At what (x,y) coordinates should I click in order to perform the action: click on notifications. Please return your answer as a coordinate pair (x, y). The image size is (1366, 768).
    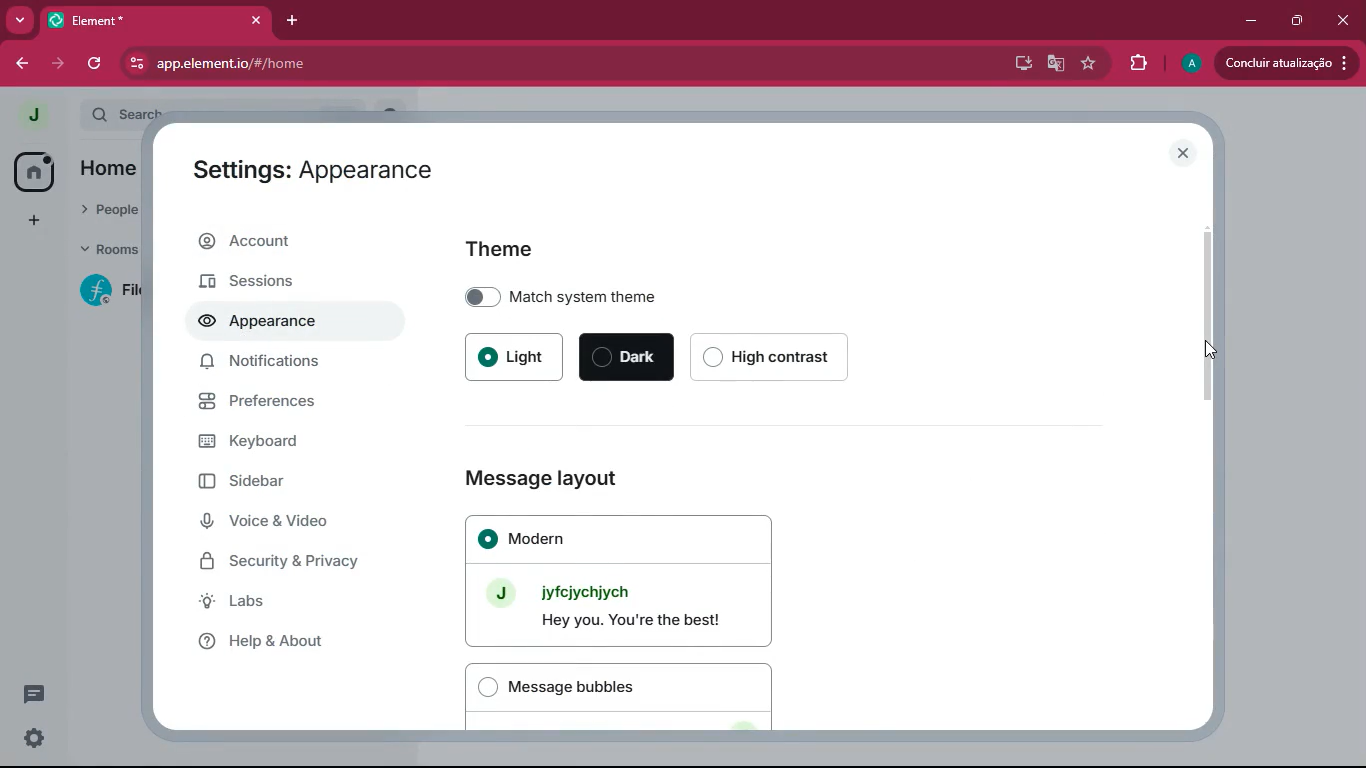
    Looking at the image, I should click on (267, 362).